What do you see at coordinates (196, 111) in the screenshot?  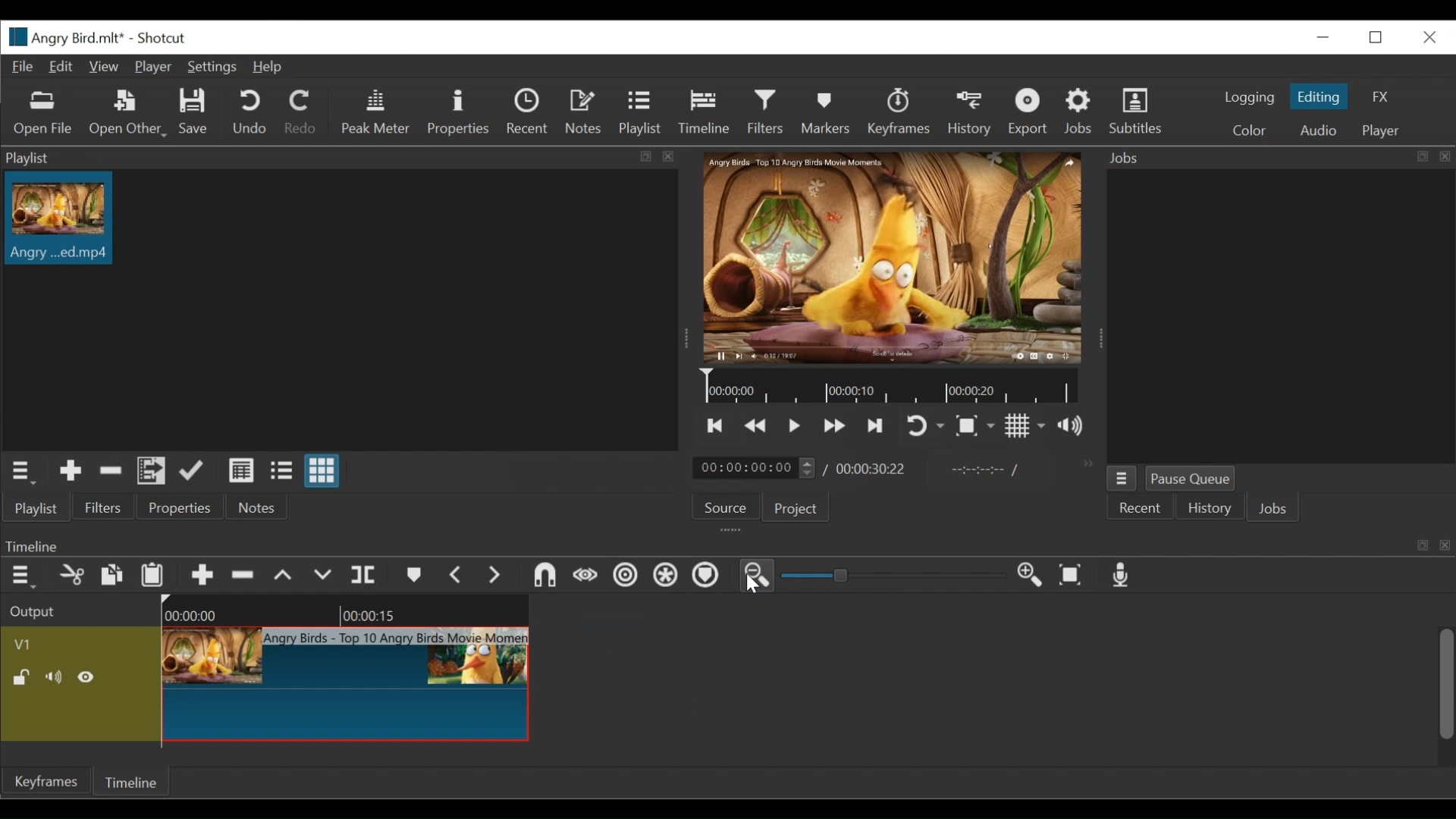 I see `Save` at bounding box center [196, 111].